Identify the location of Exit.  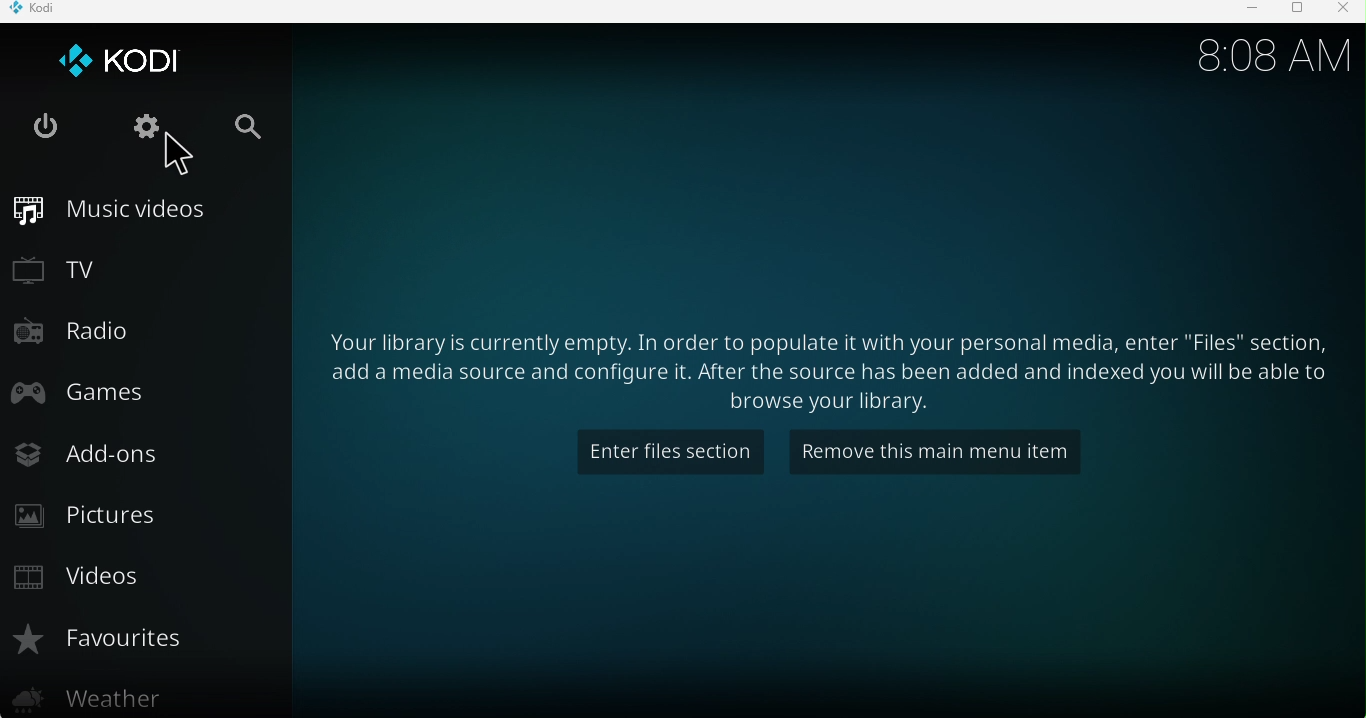
(51, 133).